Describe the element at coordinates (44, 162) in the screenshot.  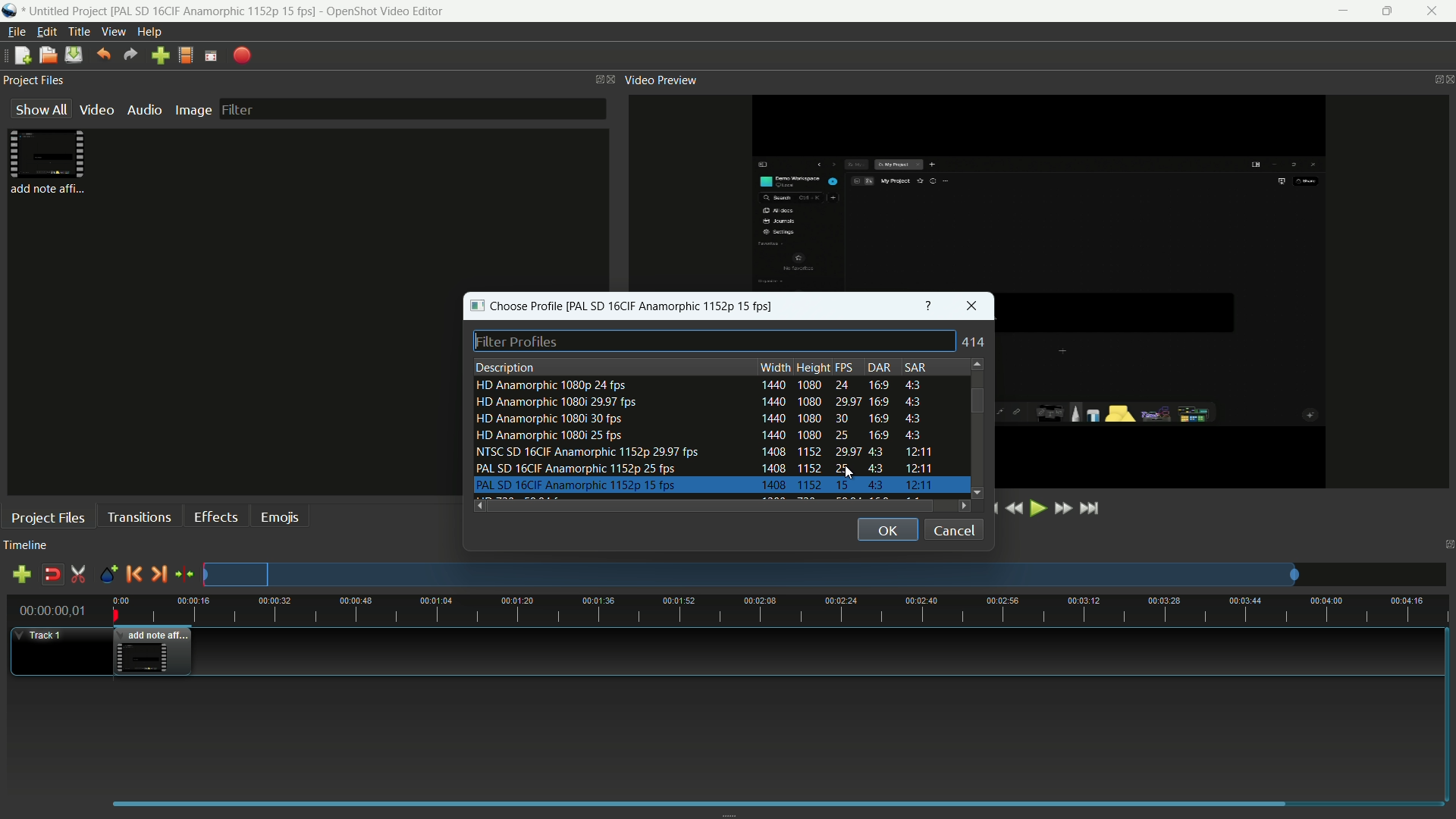
I see `file in project` at that location.